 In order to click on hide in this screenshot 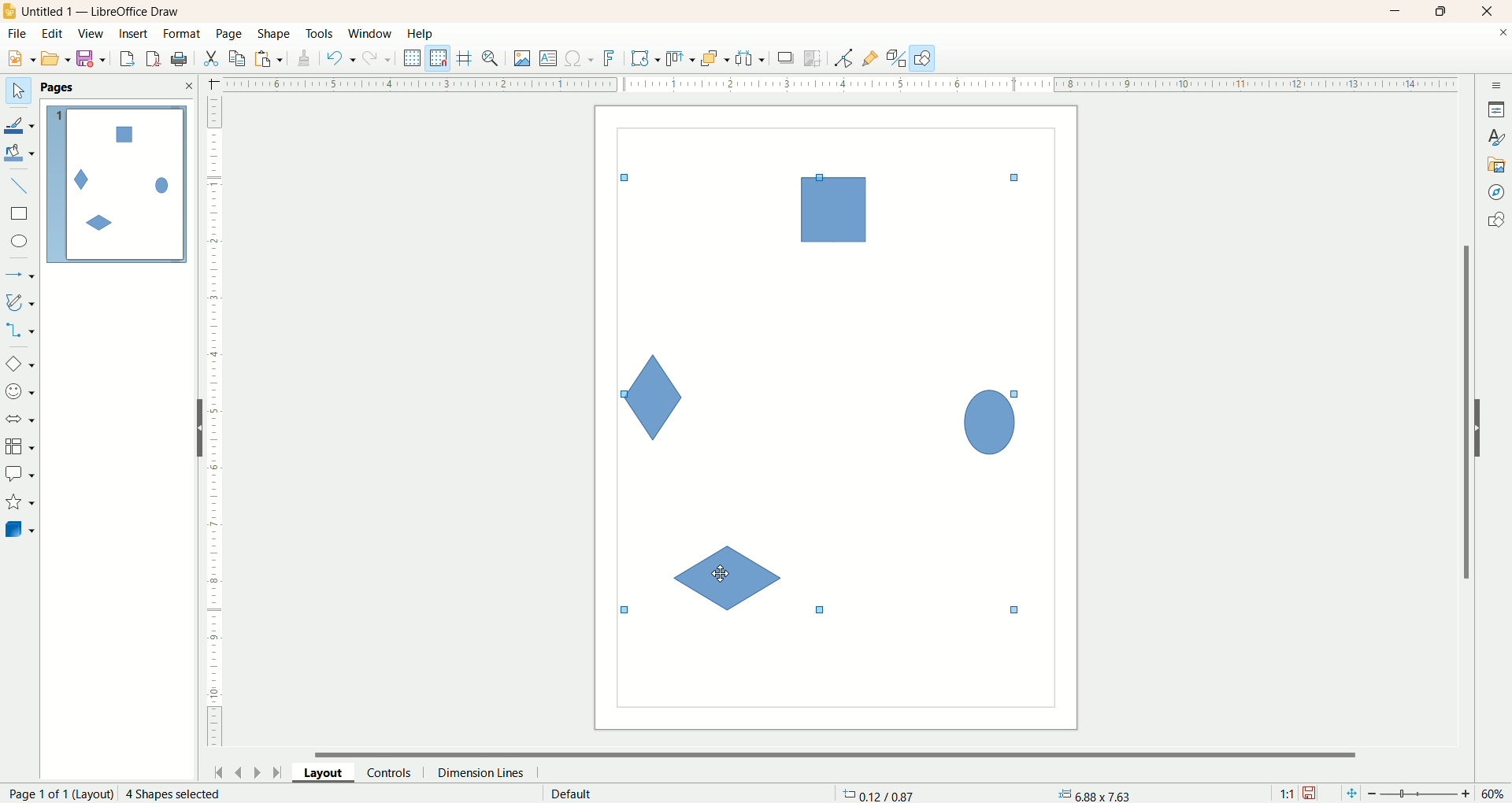, I will do `click(1486, 425)`.